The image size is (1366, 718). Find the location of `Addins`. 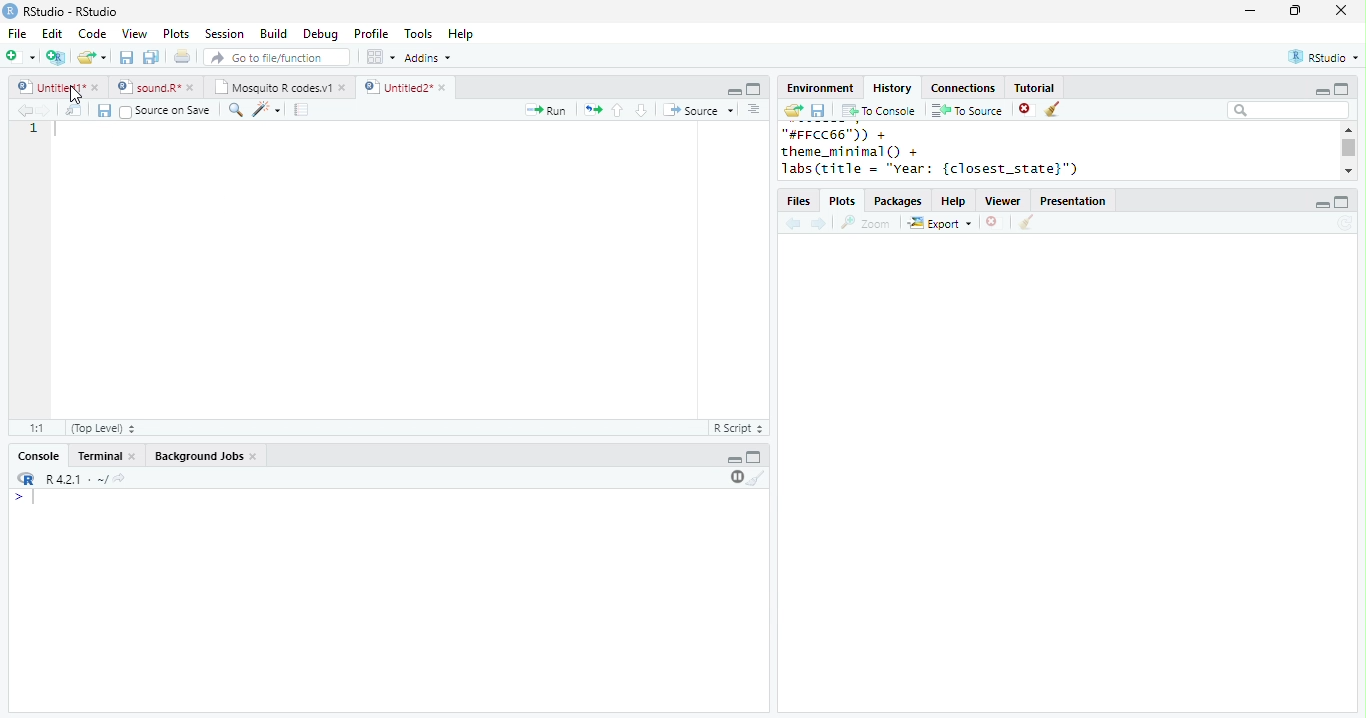

Addins is located at coordinates (428, 58).